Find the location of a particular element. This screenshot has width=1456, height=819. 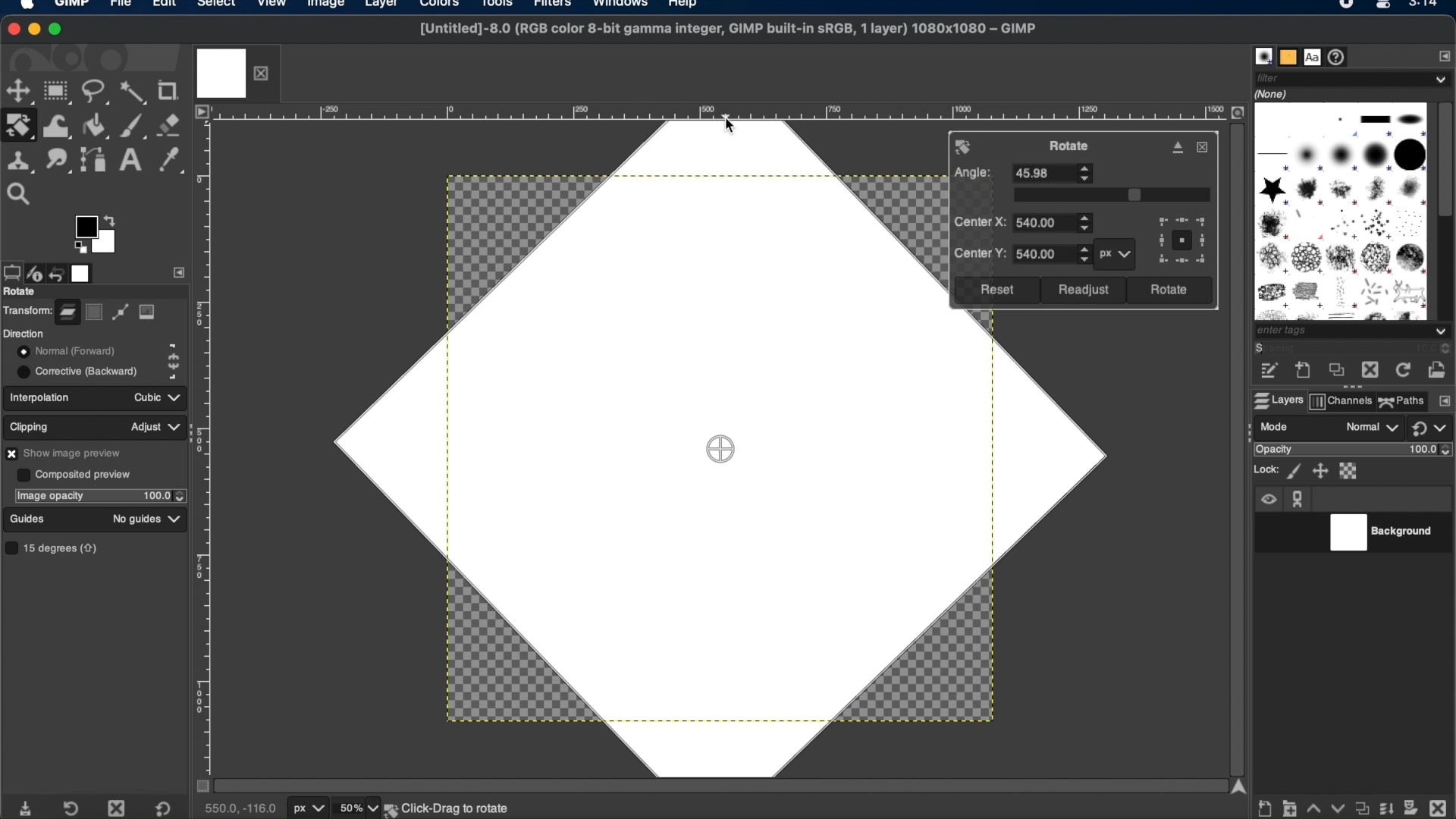

rotate is located at coordinates (1072, 146).